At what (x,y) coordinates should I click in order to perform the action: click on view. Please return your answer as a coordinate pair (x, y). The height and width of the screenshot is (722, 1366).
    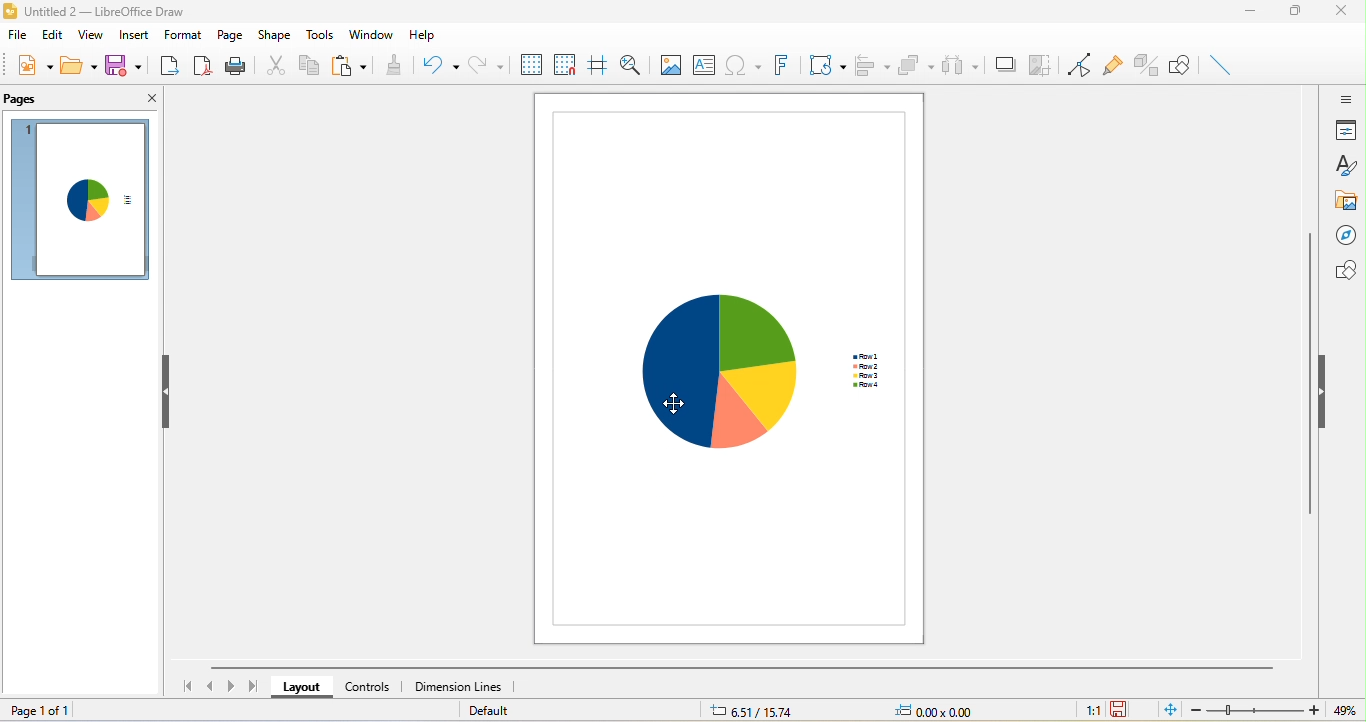
    Looking at the image, I should click on (91, 36).